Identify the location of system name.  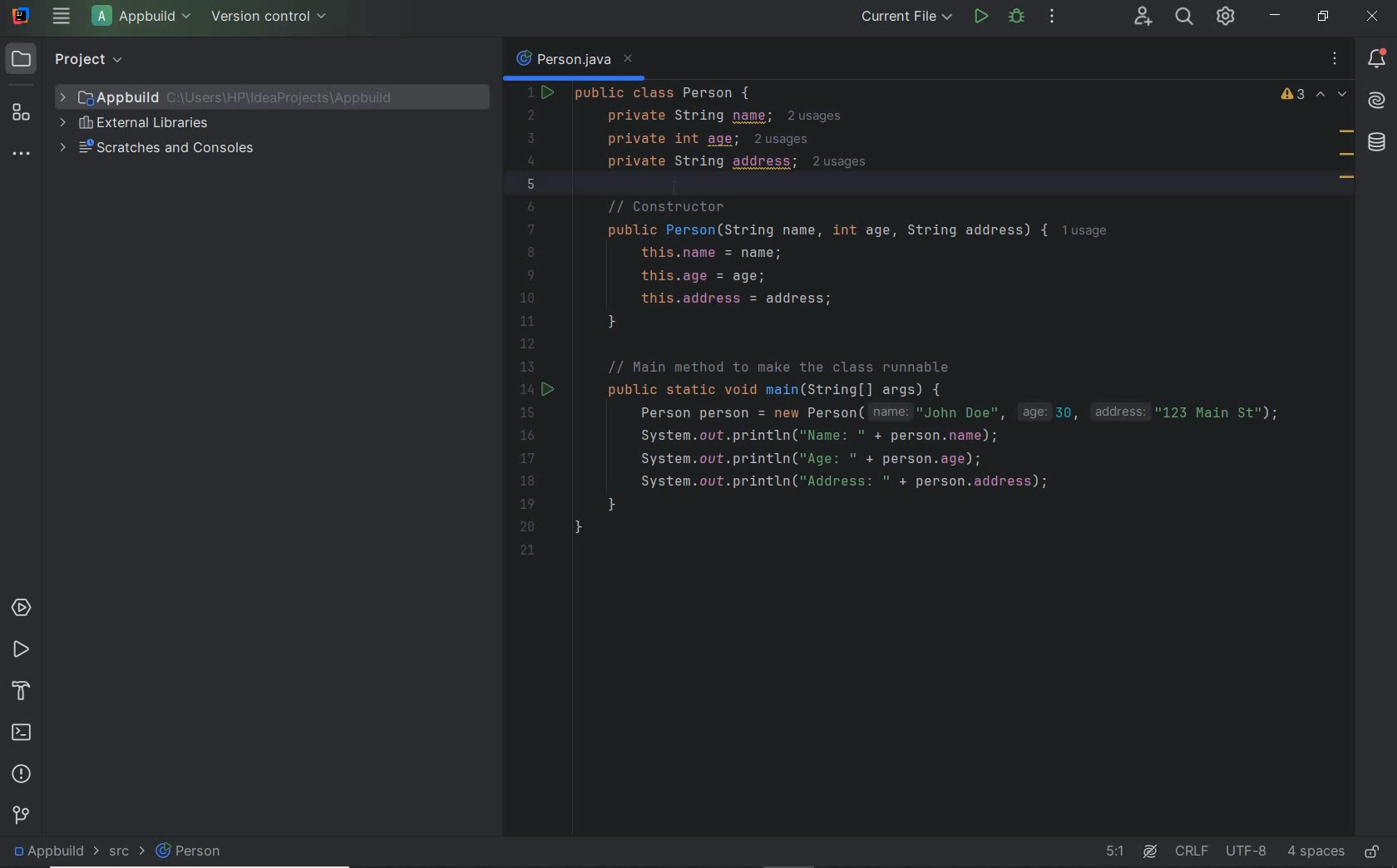
(22, 16).